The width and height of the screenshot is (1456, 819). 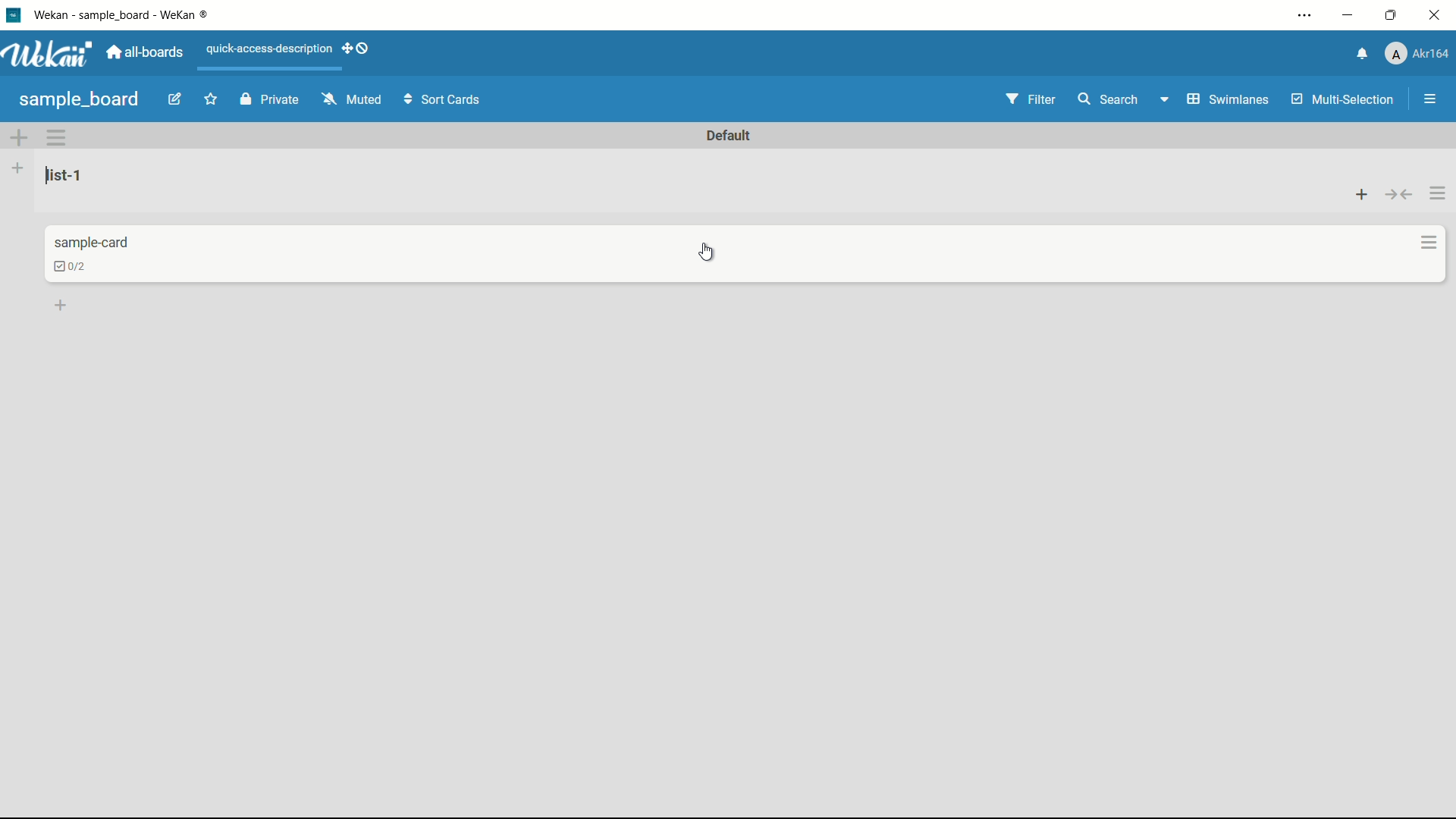 I want to click on default, so click(x=729, y=136).